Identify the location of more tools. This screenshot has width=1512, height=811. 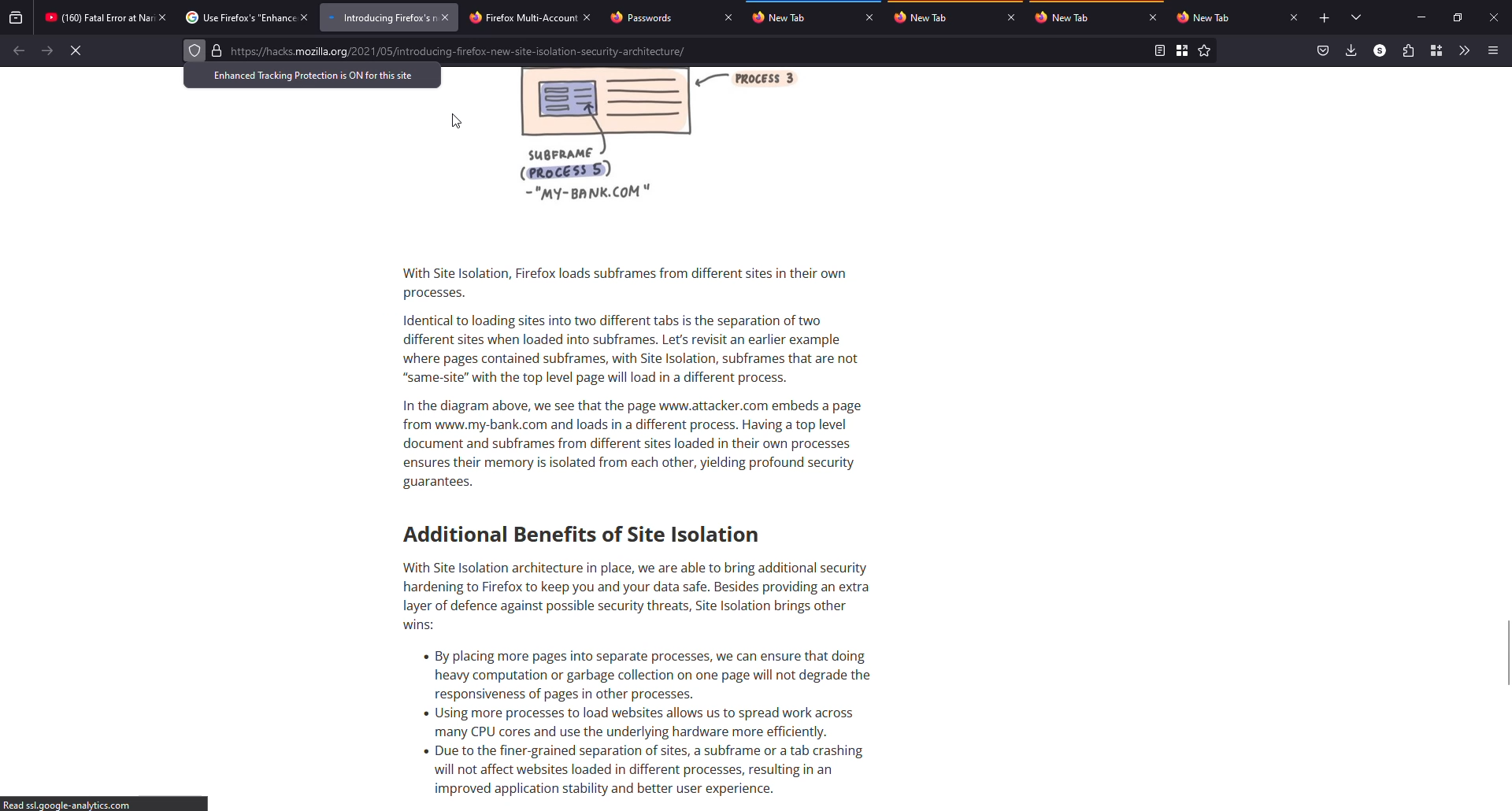
(1465, 51).